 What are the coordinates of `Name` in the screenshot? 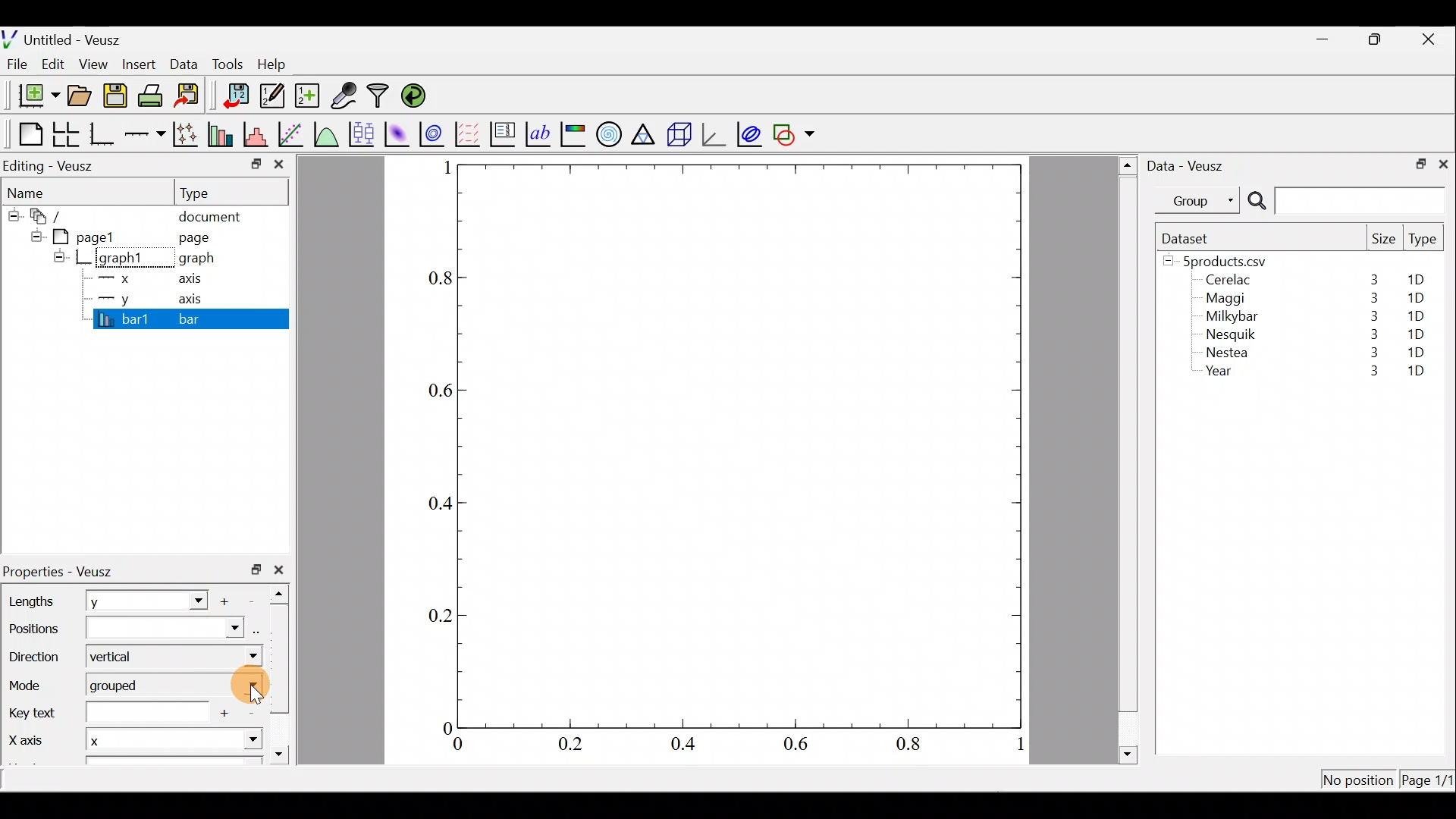 It's located at (36, 191).